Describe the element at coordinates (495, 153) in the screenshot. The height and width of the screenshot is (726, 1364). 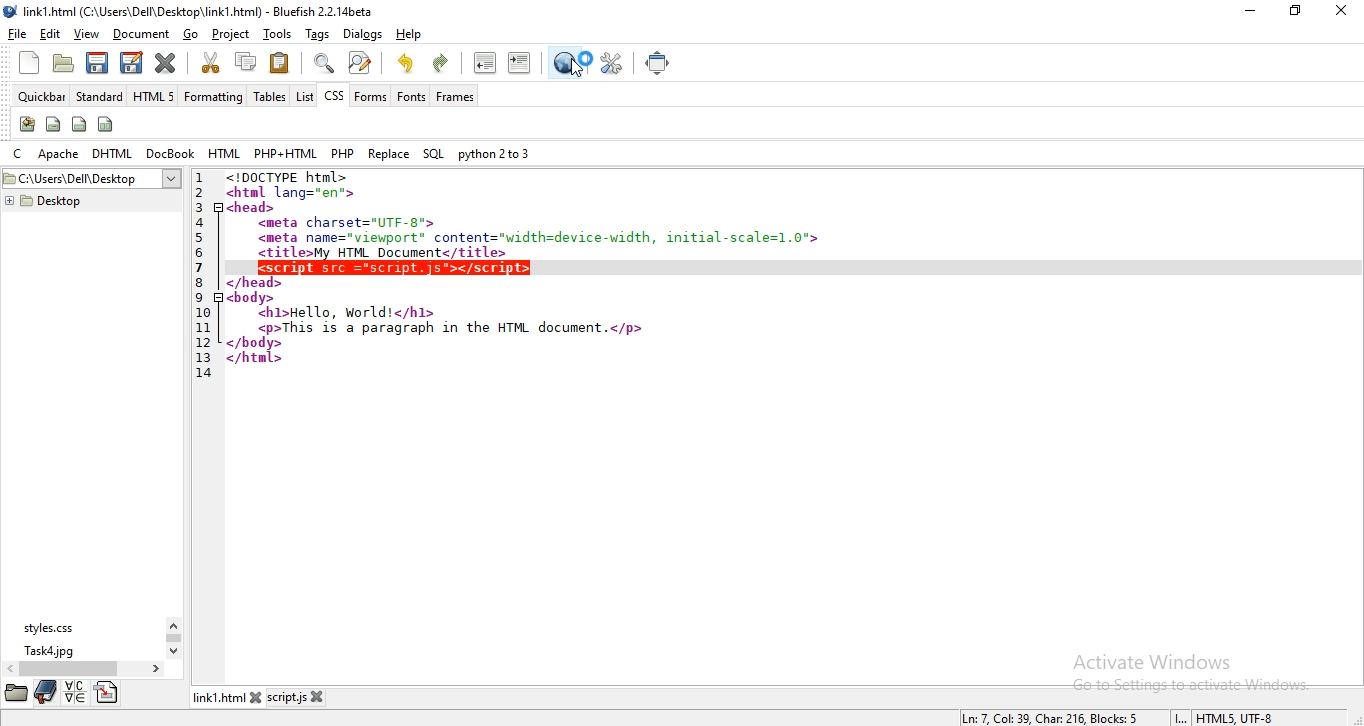
I see `python 2 to 3` at that location.